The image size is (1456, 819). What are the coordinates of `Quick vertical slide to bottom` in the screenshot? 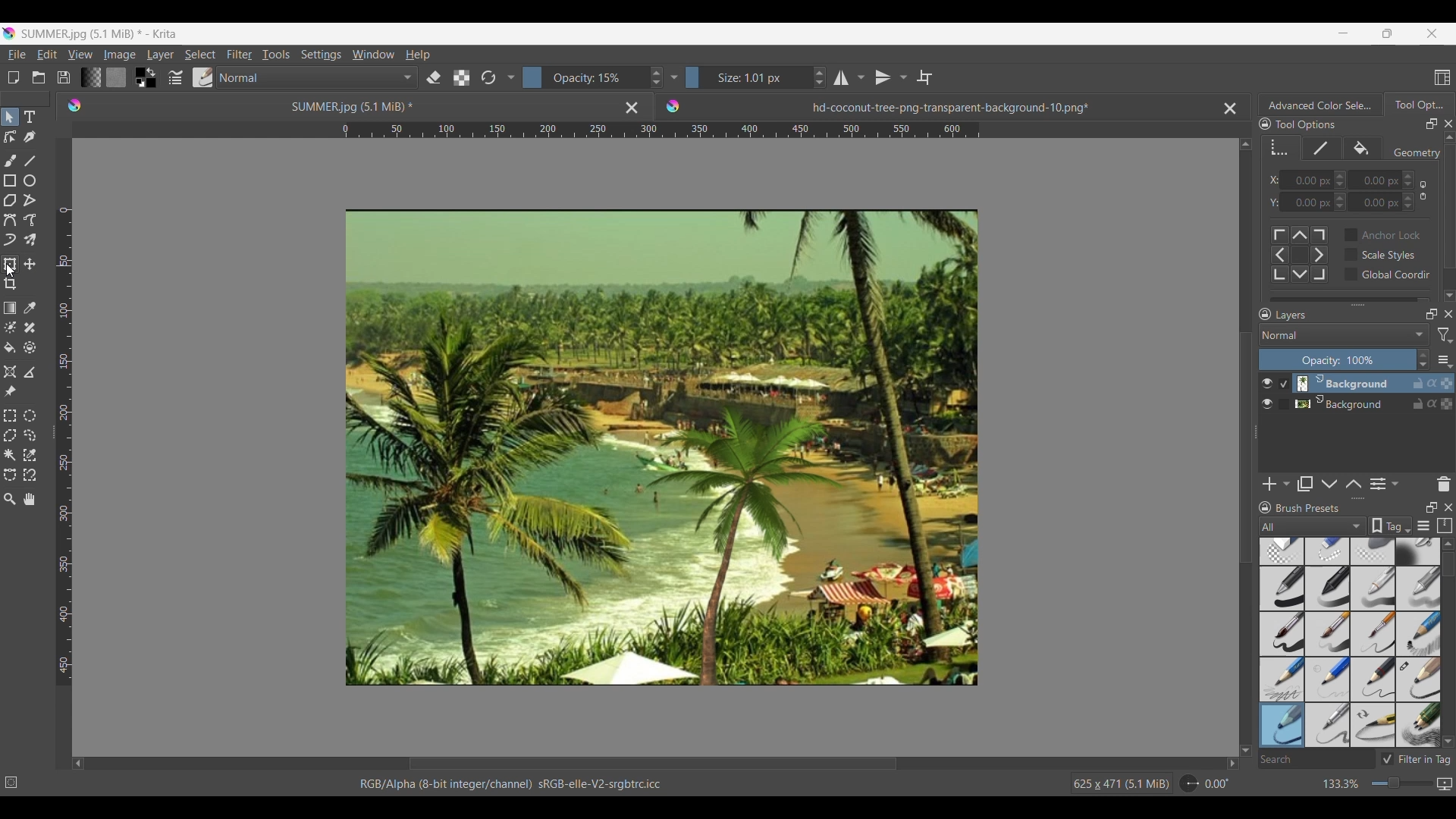 It's located at (1449, 296).